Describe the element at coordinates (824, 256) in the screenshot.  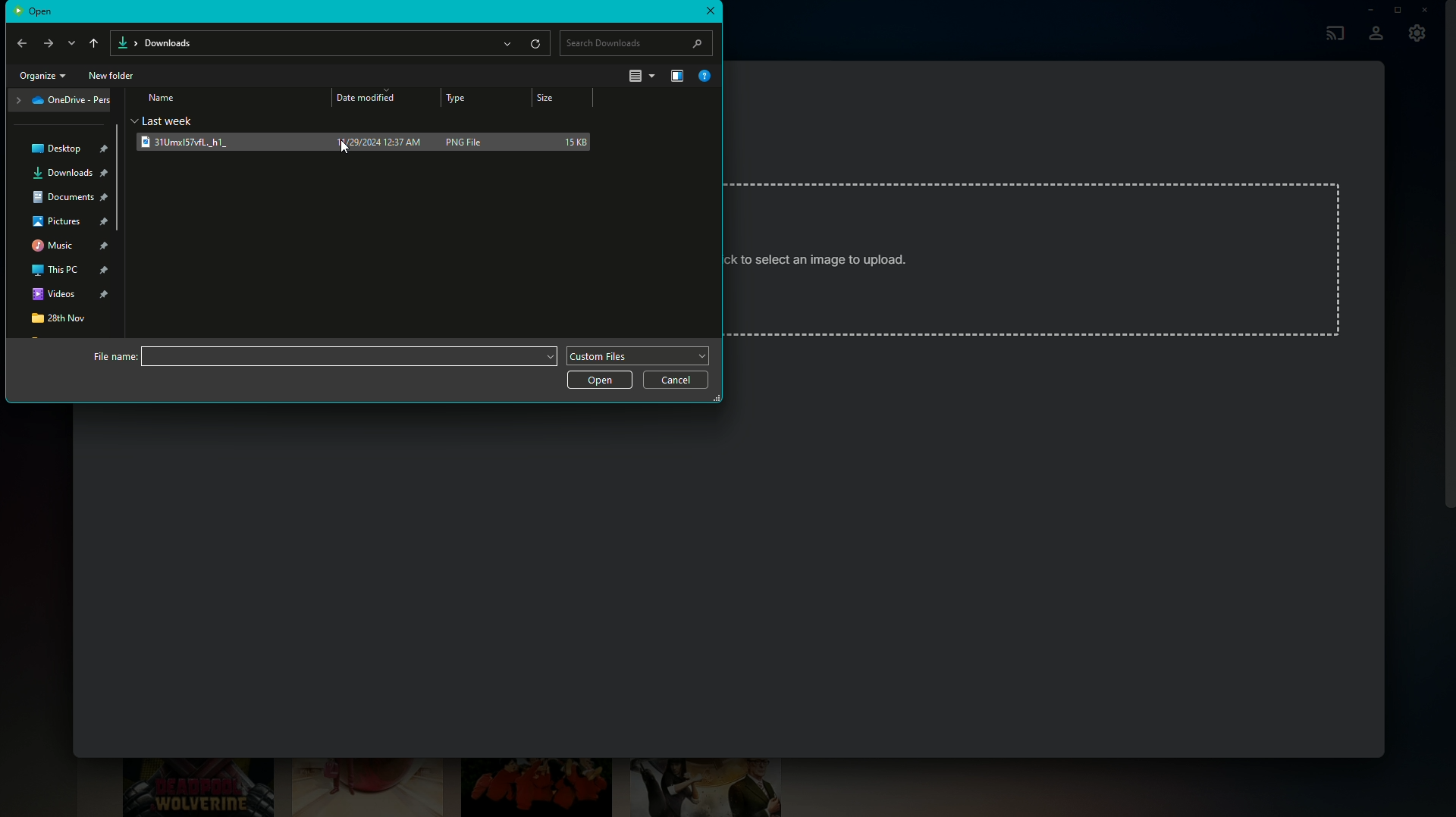
I see `` at that location.